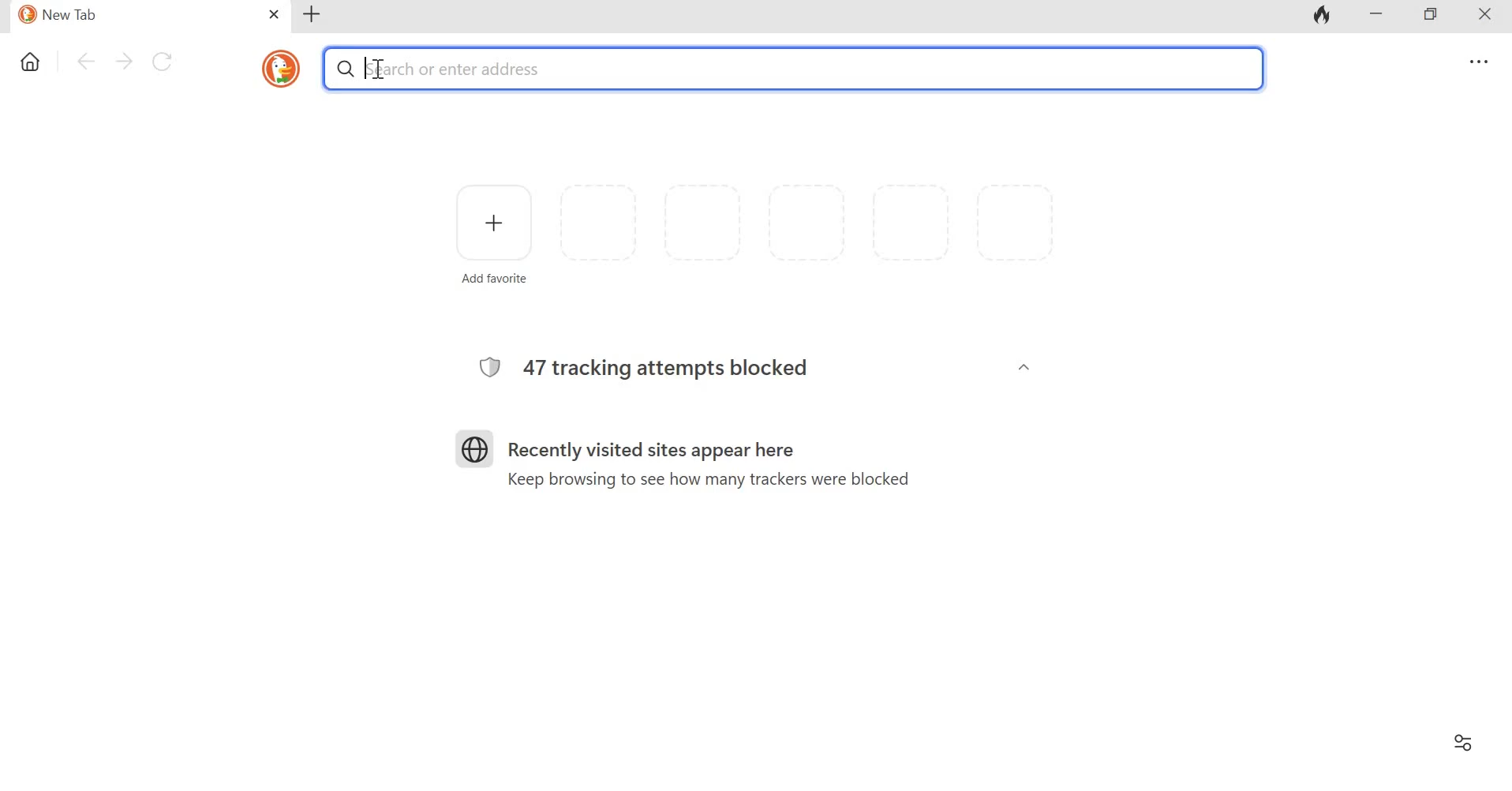 The image size is (1512, 791). I want to click on settings, so click(1461, 743).